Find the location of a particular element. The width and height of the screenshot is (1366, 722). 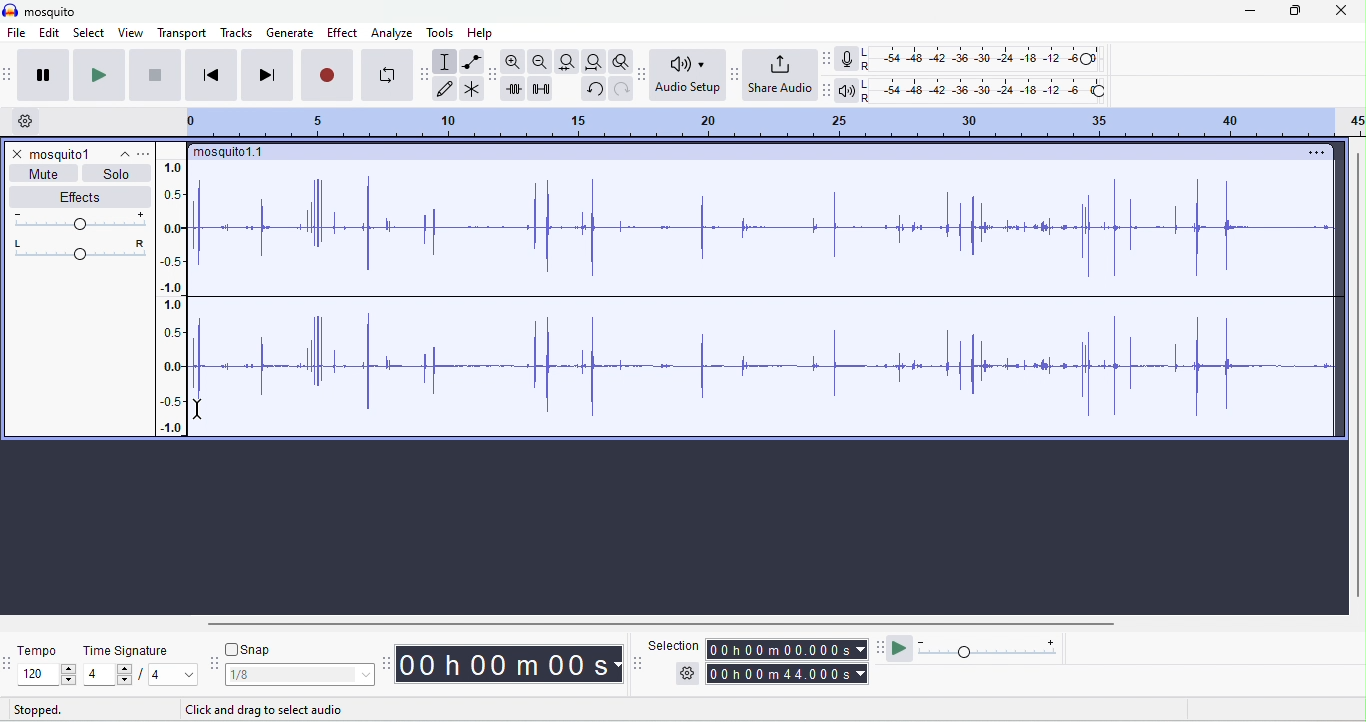

recording level is located at coordinates (980, 58).